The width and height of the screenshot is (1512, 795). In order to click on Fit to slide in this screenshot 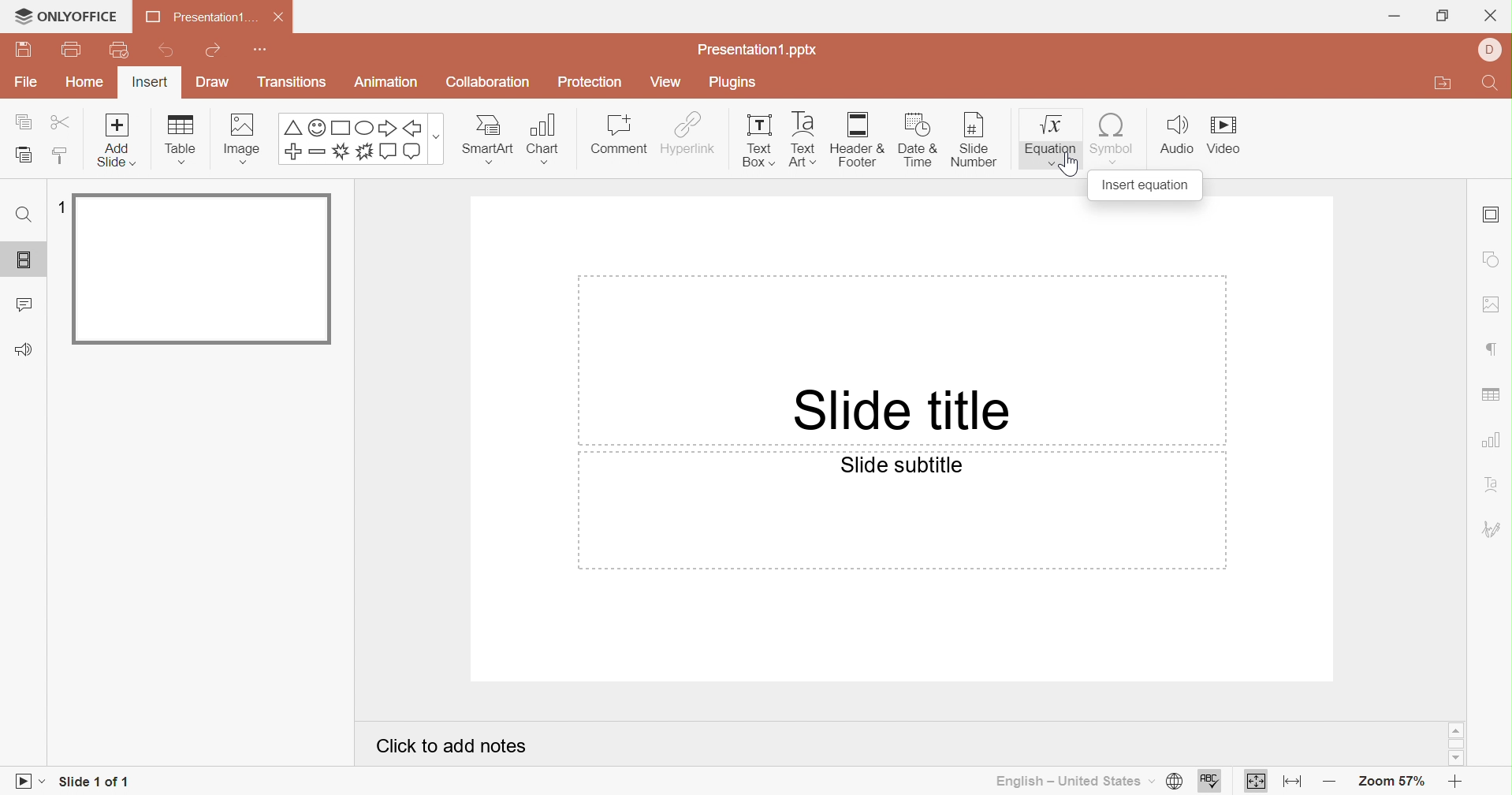, I will do `click(1257, 782)`.